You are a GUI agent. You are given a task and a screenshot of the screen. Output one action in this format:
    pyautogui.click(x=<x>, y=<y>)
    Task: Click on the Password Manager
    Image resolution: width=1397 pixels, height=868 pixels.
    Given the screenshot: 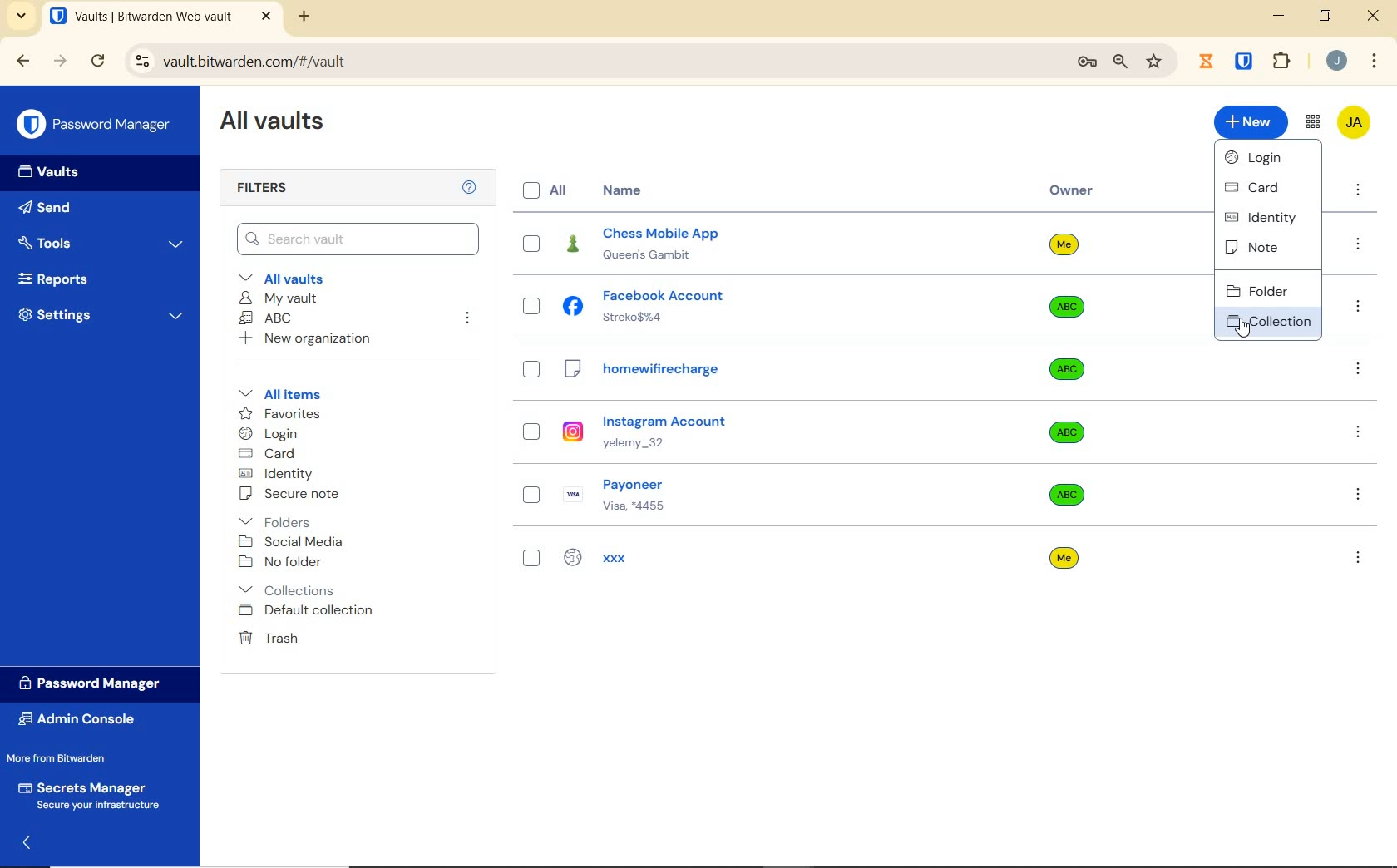 What is the action you would take?
    pyautogui.click(x=99, y=683)
    